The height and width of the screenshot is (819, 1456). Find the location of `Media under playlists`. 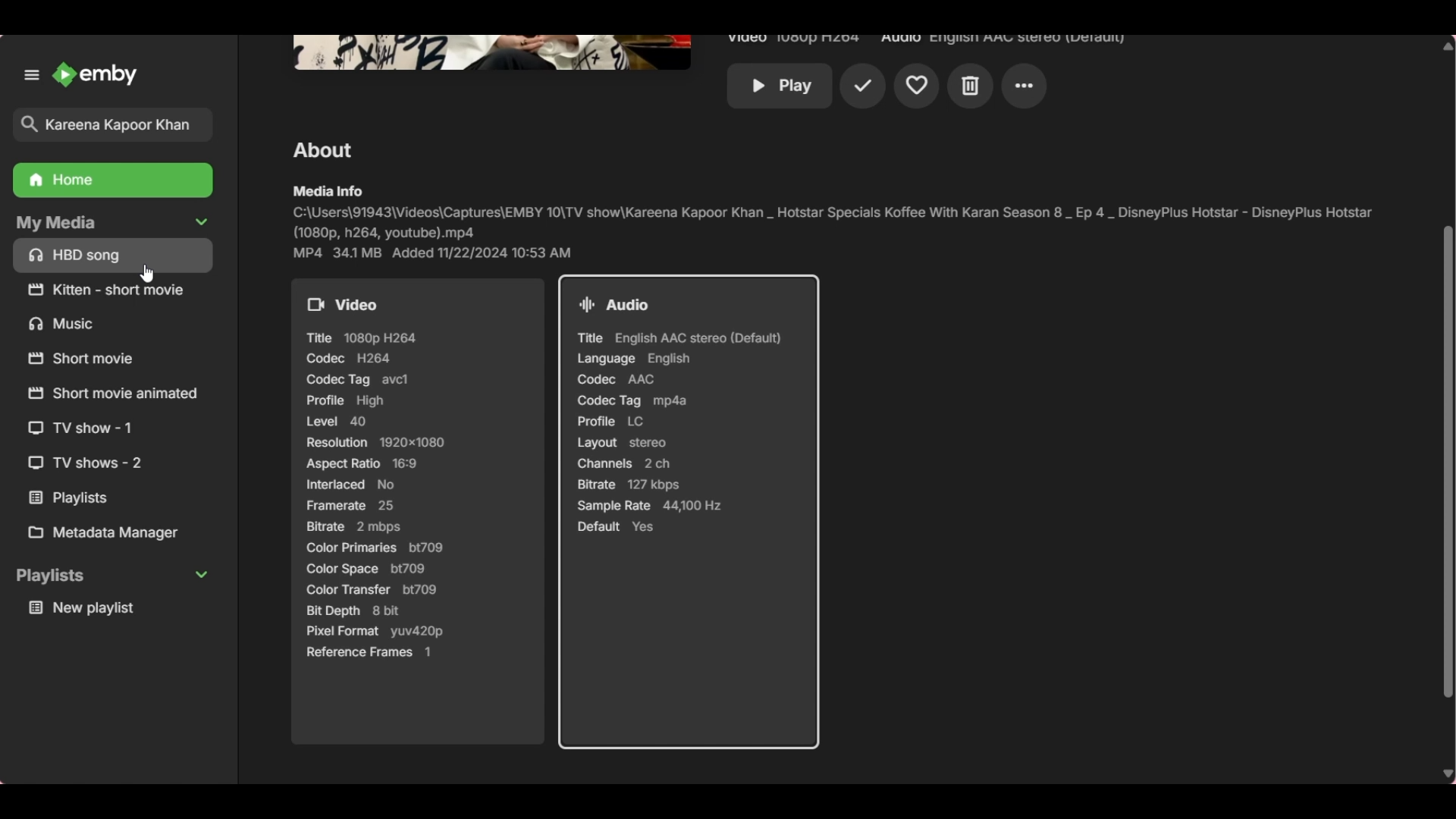

Media under playlists is located at coordinates (117, 609).